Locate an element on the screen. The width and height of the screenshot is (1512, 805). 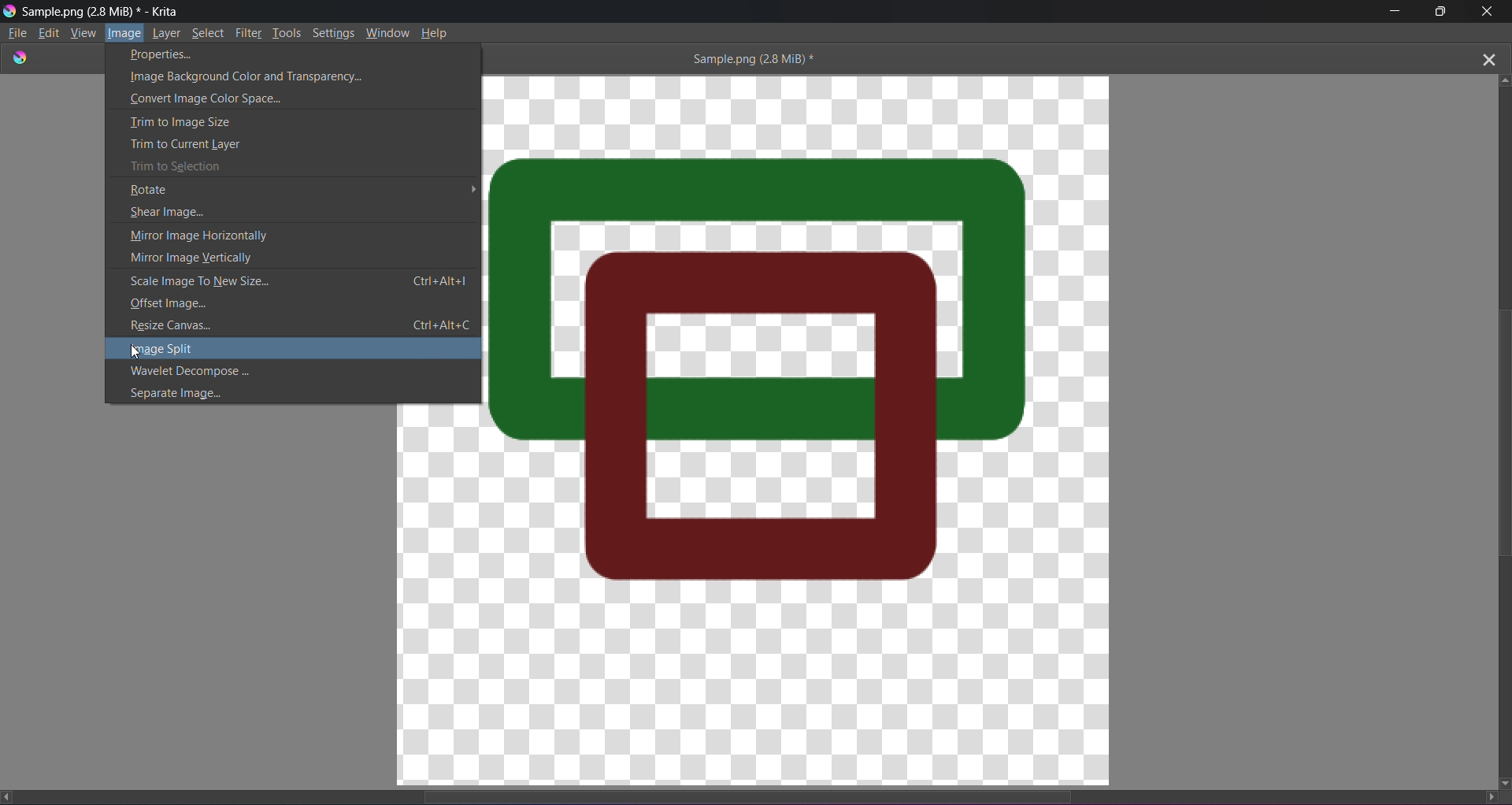
Scroll right is located at coordinates (1485, 796).